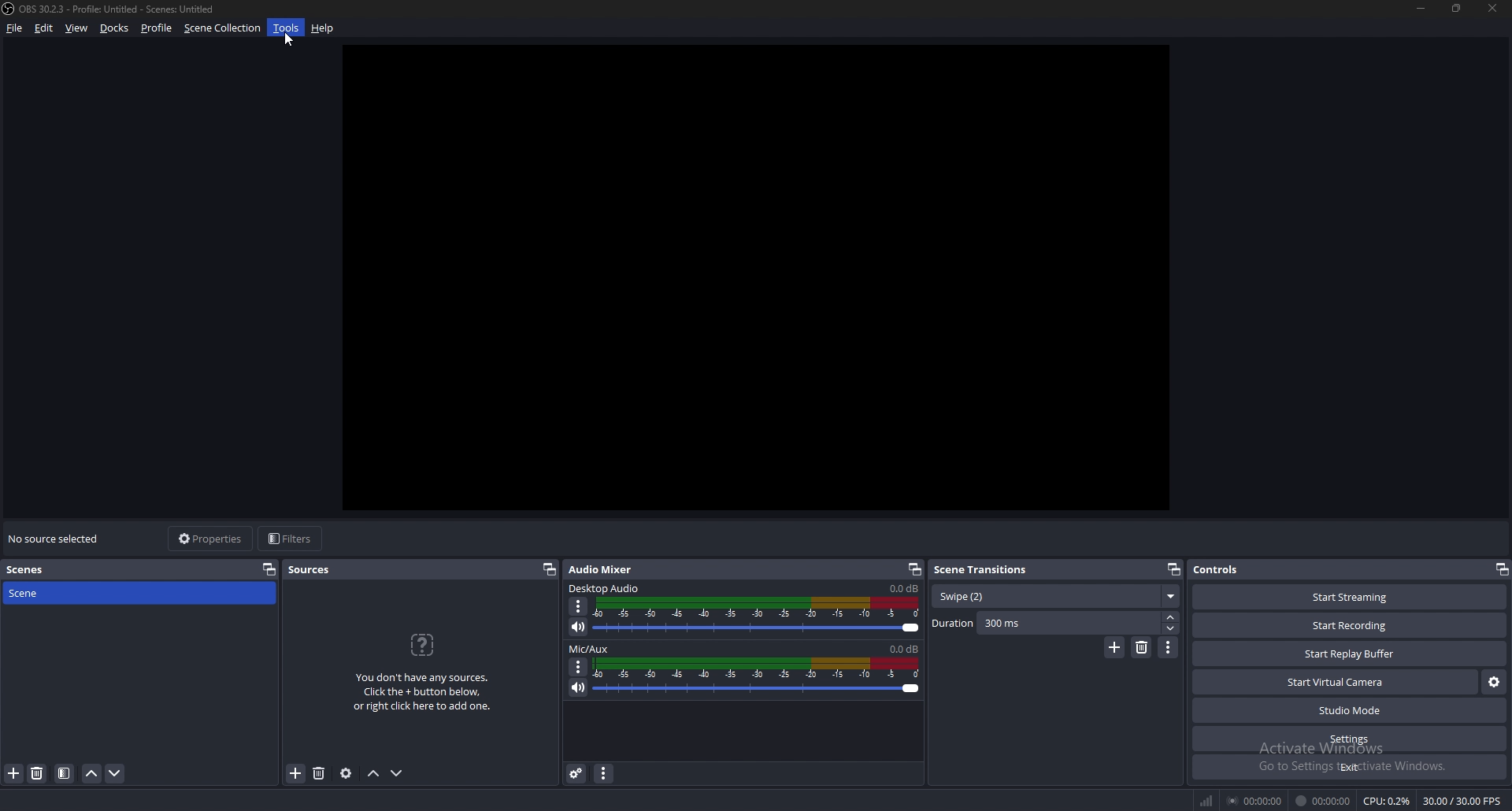 The width and height of the screenshot is (1512, 811). I want to click on swipe, so click(1055, 597).